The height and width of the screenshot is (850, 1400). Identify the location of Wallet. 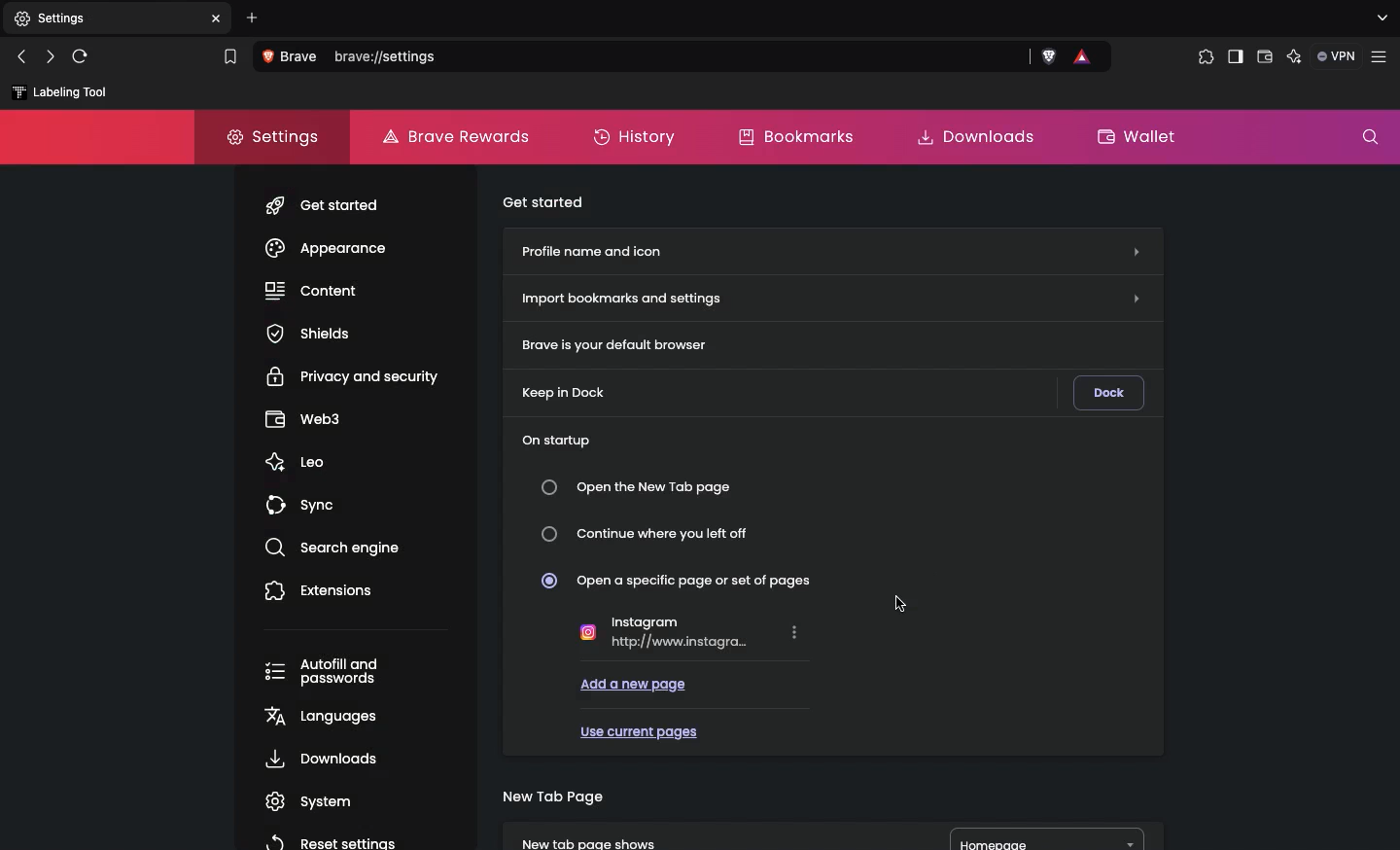
(1265, 59).